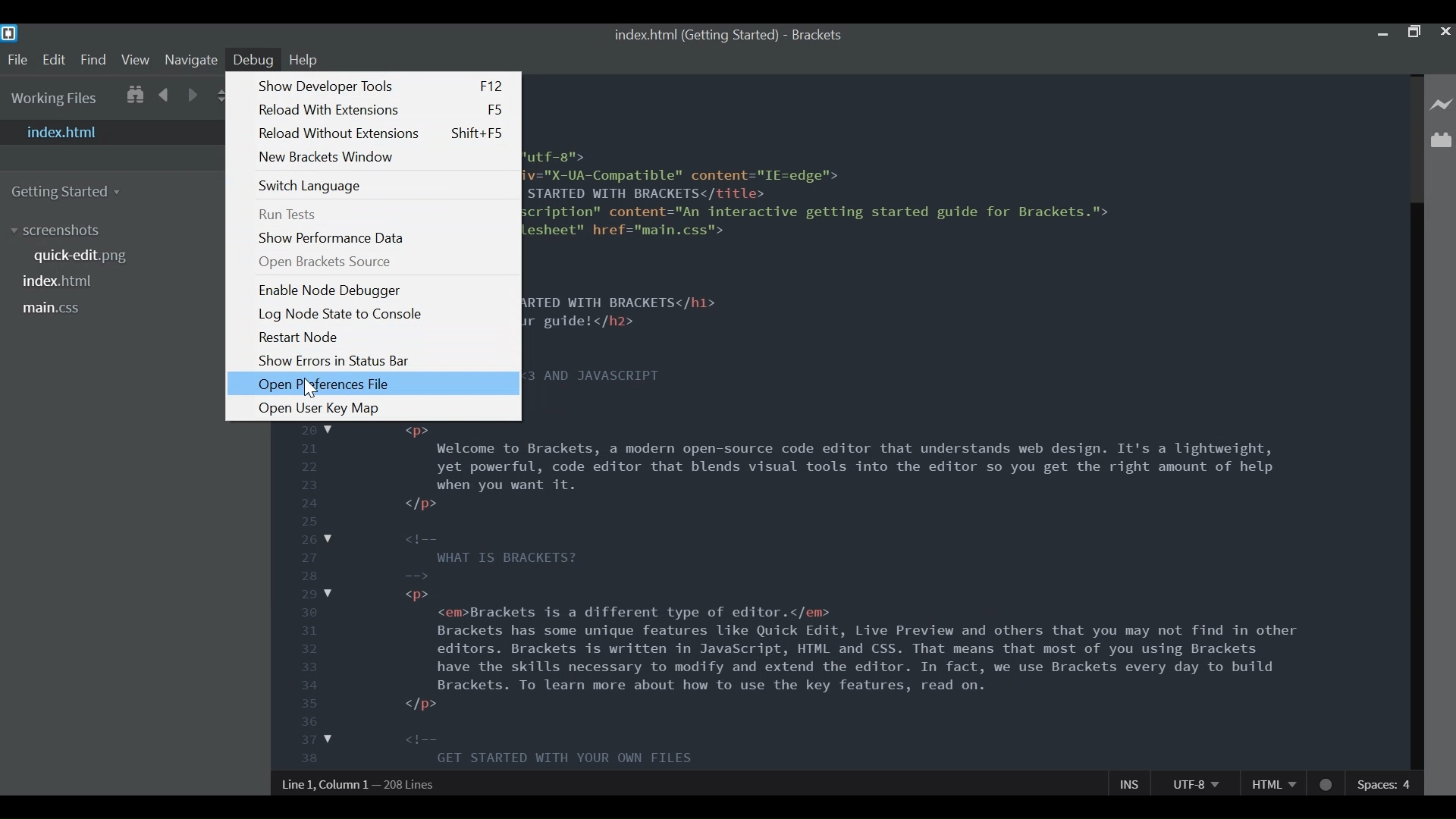  I want to click on Show Developer Tools, so click(381, 87).